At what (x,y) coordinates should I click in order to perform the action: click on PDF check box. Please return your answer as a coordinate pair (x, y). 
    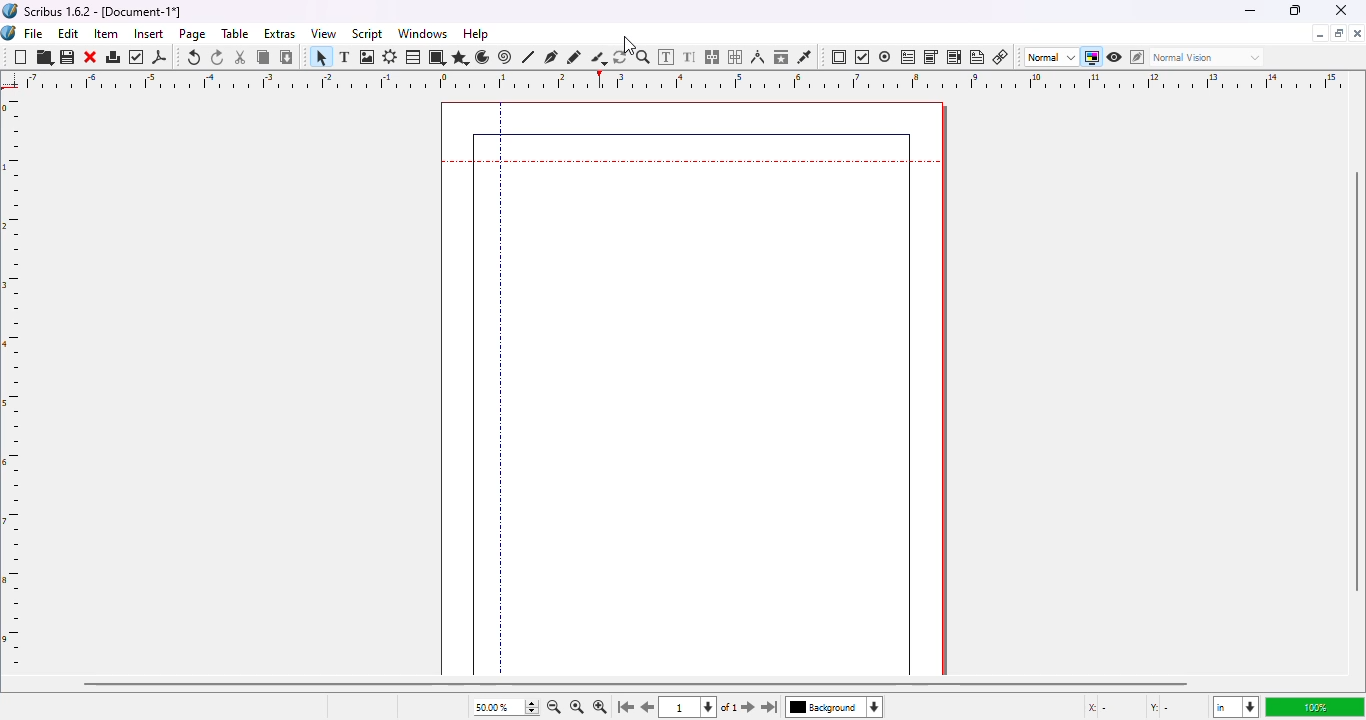
    Looking at the image, I should click on (862, 58).